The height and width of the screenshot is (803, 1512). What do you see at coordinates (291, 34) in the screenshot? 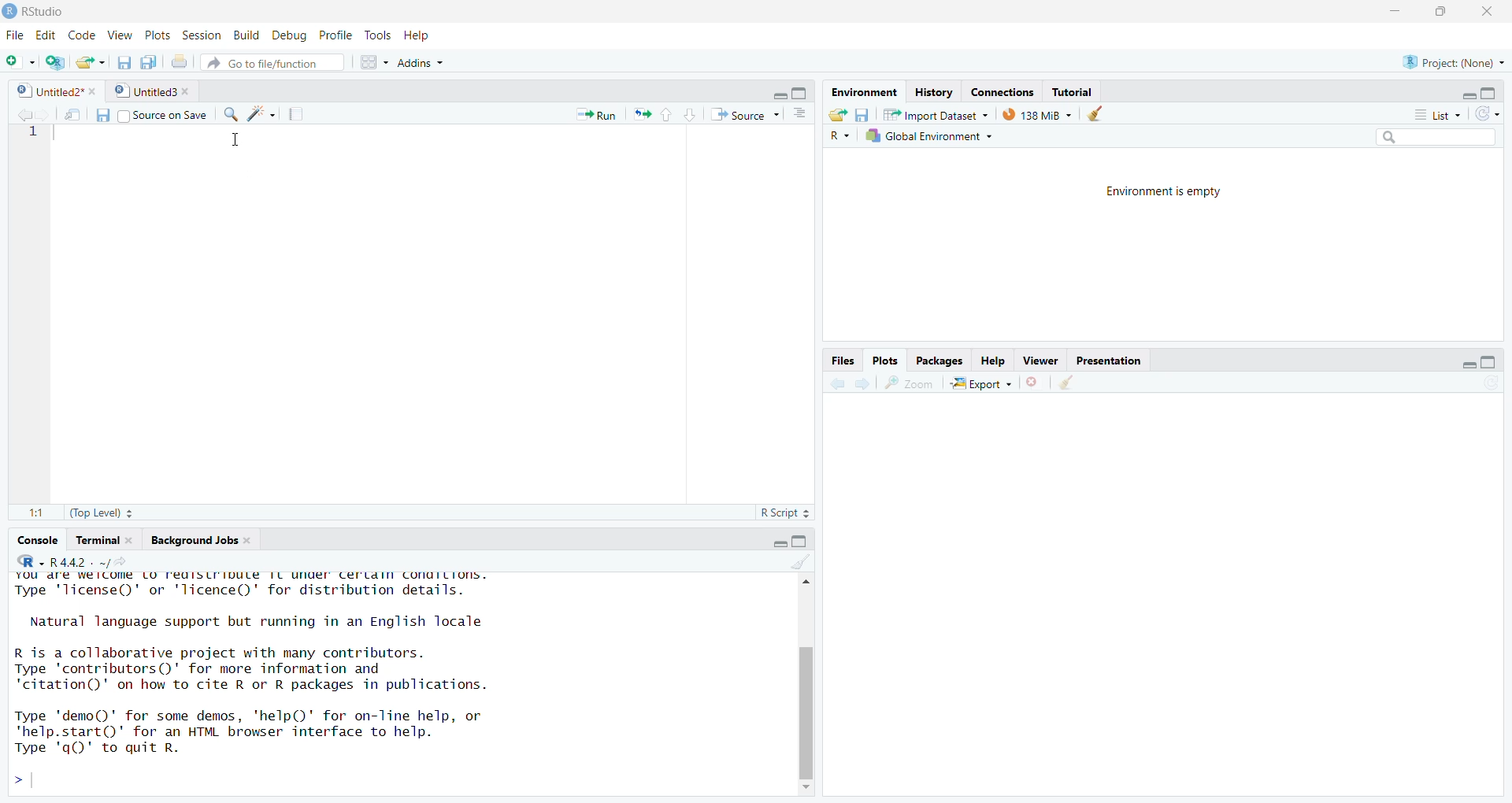
I see `Debug` at bounding box center [291, 34].